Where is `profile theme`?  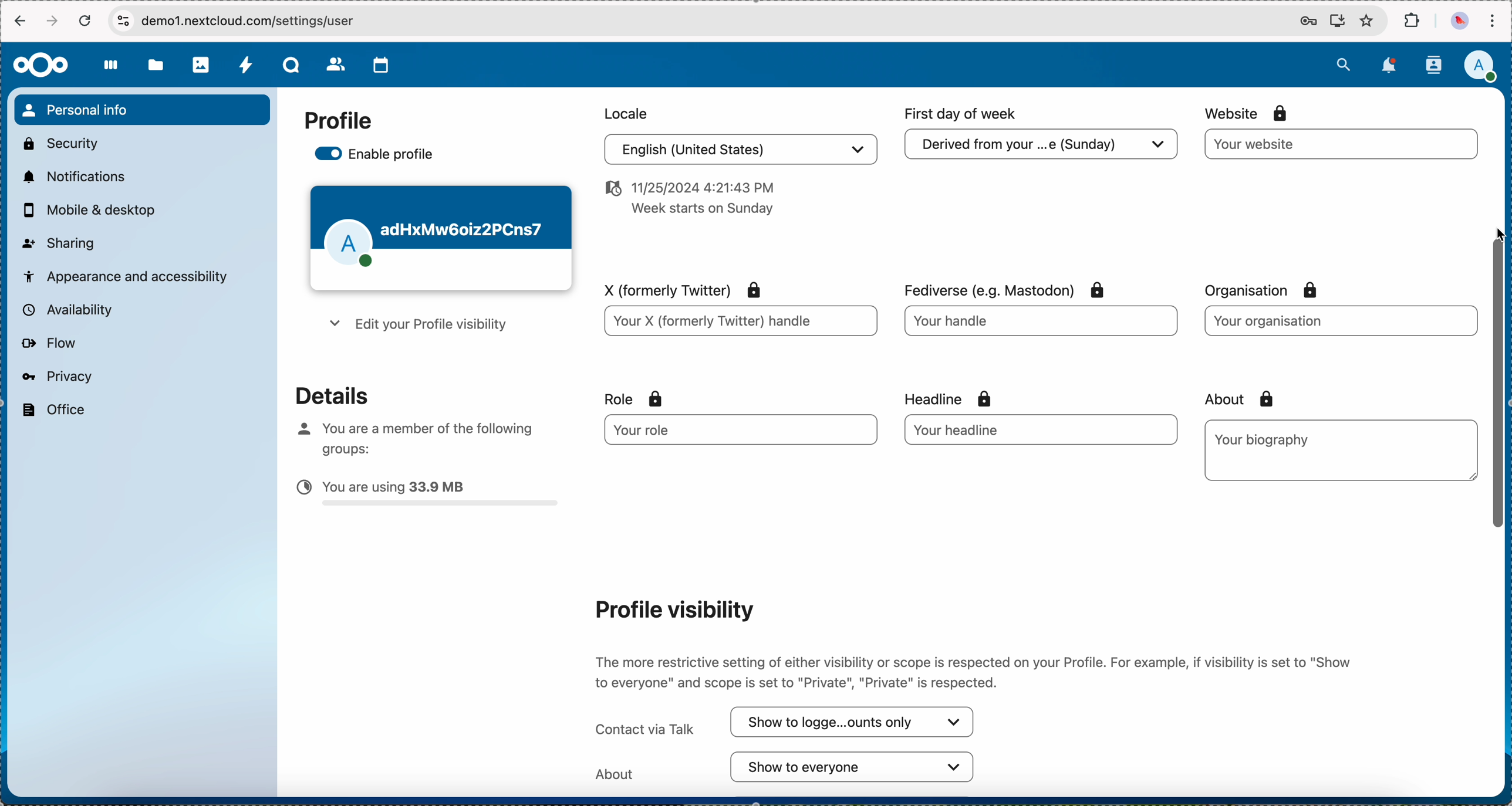 profile theme is located at coordinates (440, 239).